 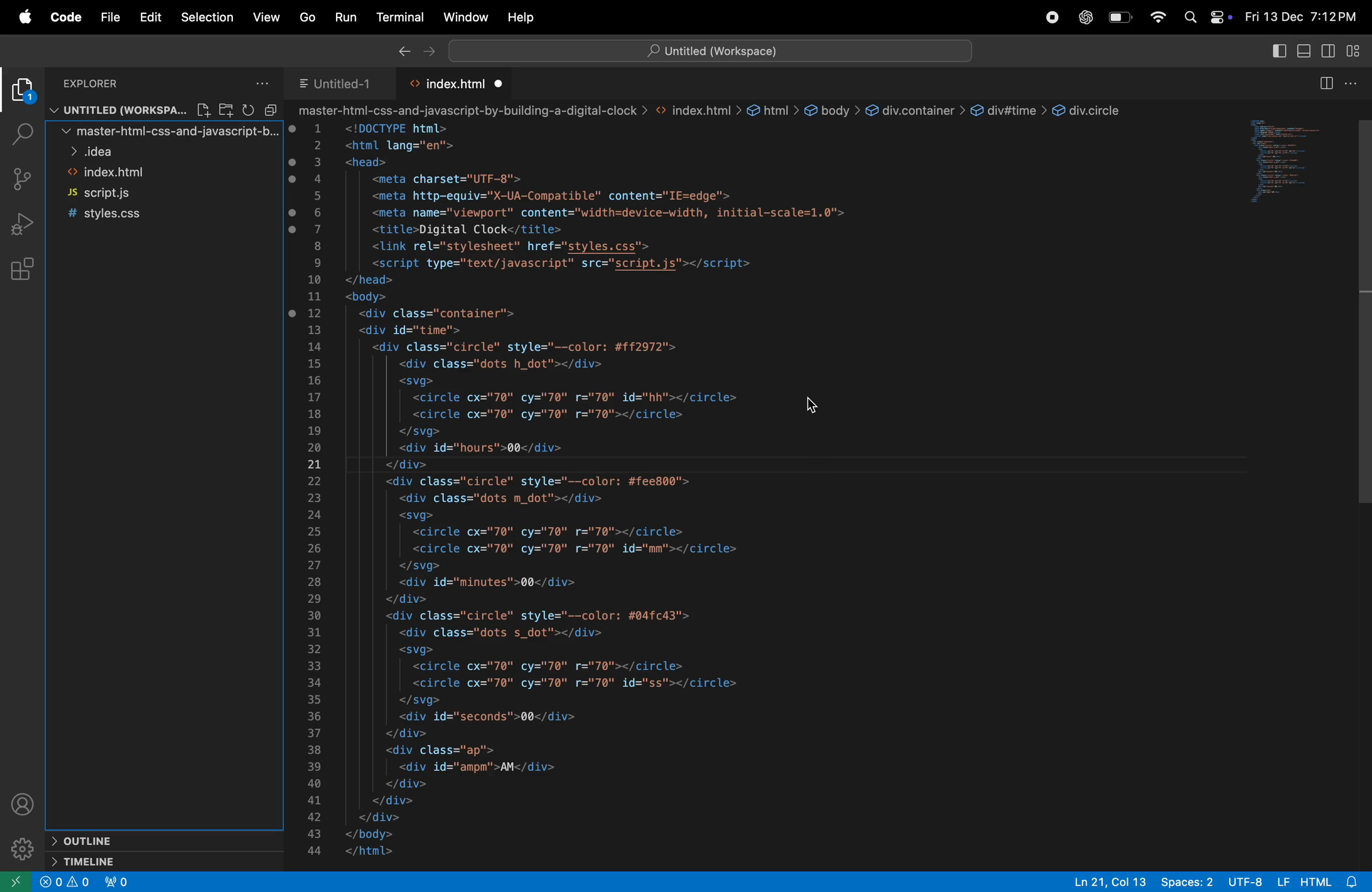 What do you see at coordinates (1363, 307) in the screenshot?
I see `Vertical scroll bar` at bounding box center [1363, 307].